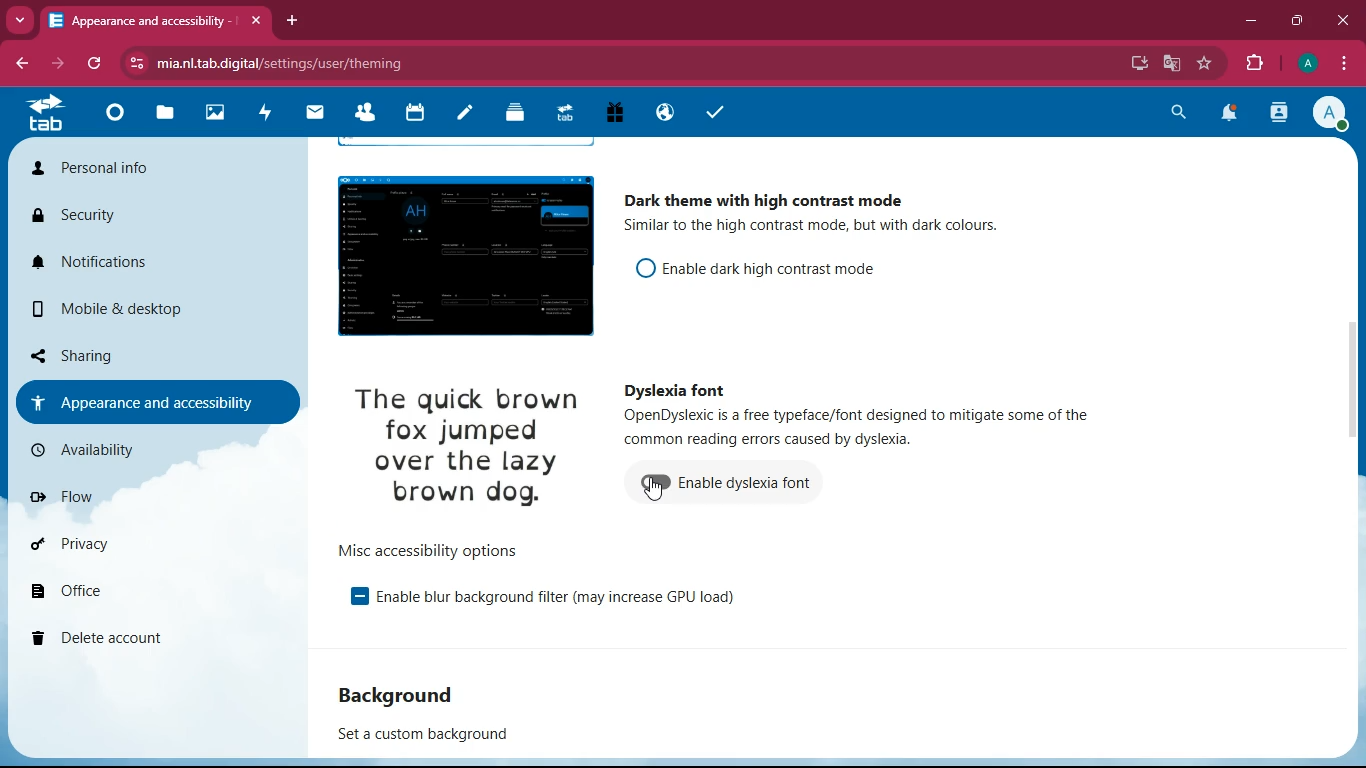 The height and width of the screenshot is (768, 1366). I want to click on security, so click(131, 214).